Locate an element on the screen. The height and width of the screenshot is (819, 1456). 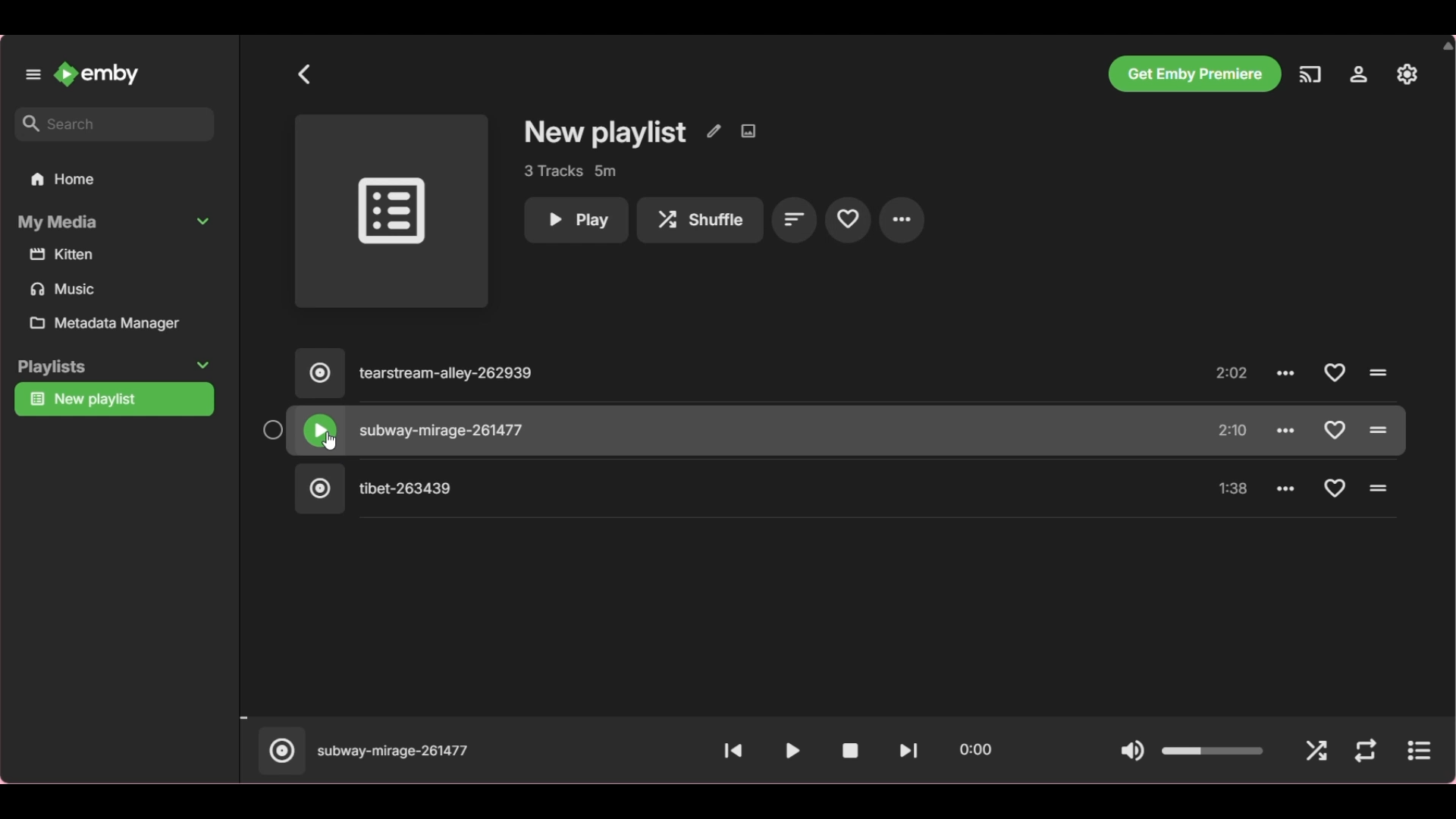
Song 3, click to play is located at coordinates (720, 489).